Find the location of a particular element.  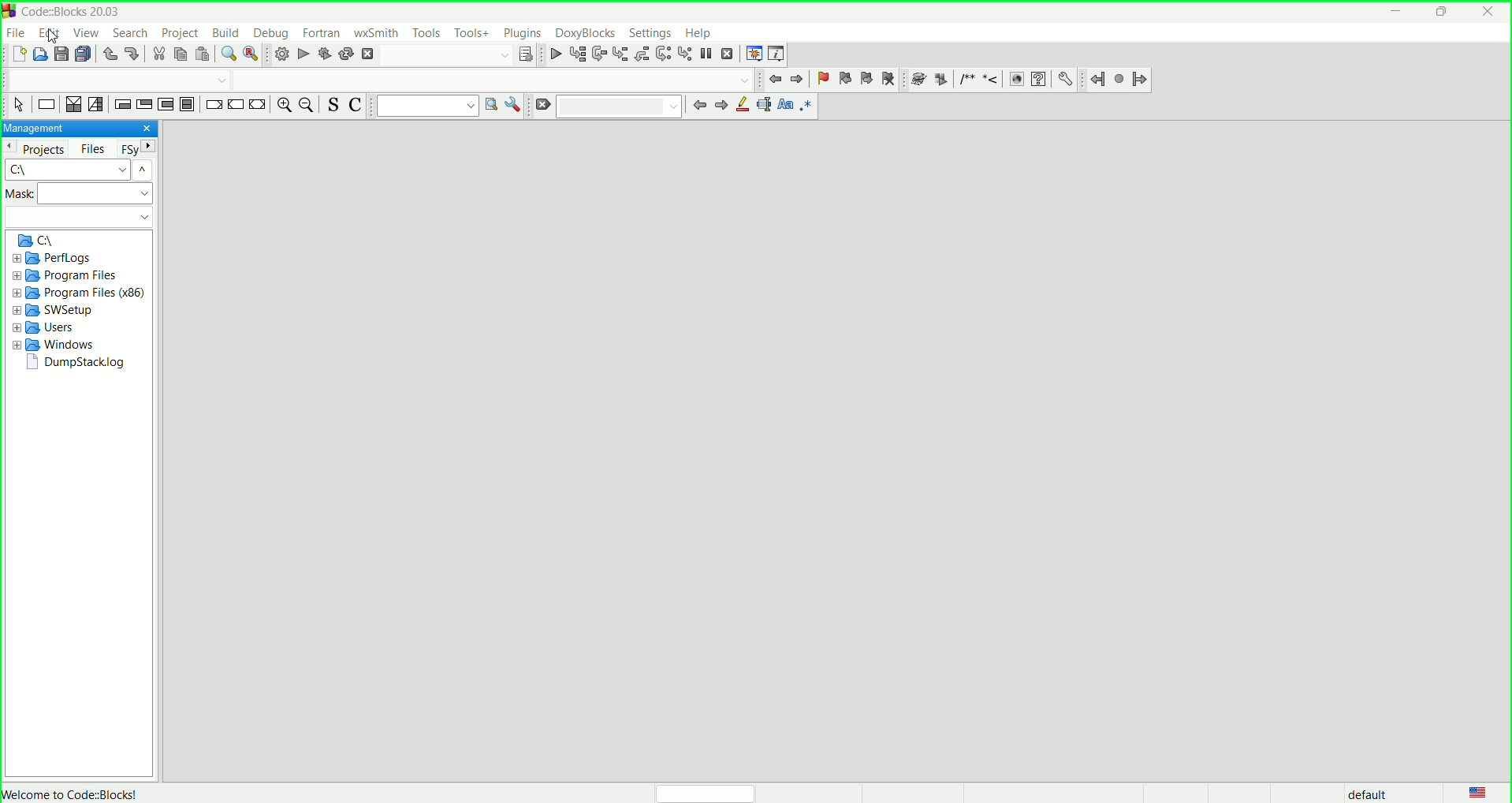

Insert comment block is located at coordinates (965, 80).